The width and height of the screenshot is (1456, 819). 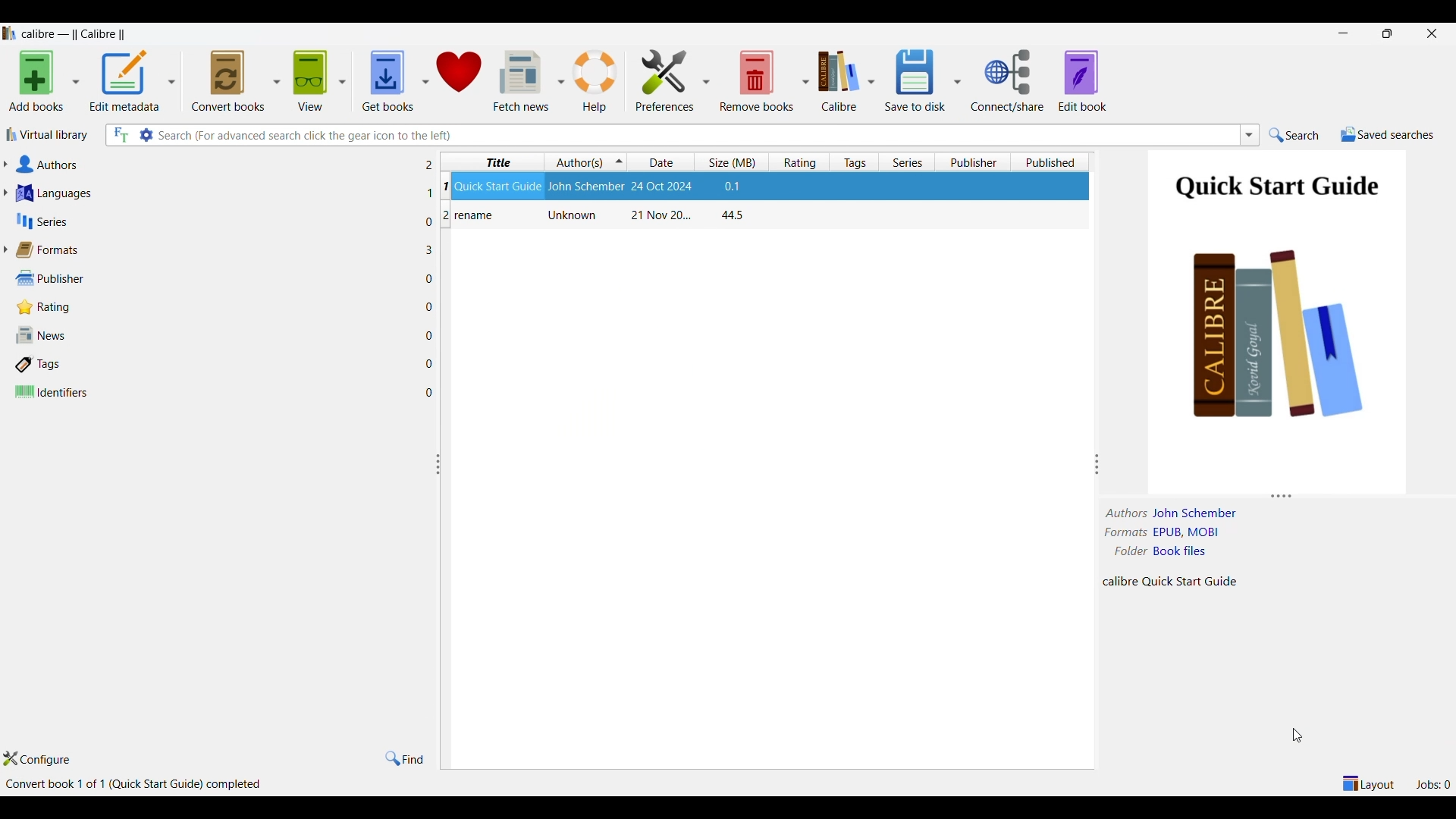 I want to click on Formats, so click(x=217, y=250).